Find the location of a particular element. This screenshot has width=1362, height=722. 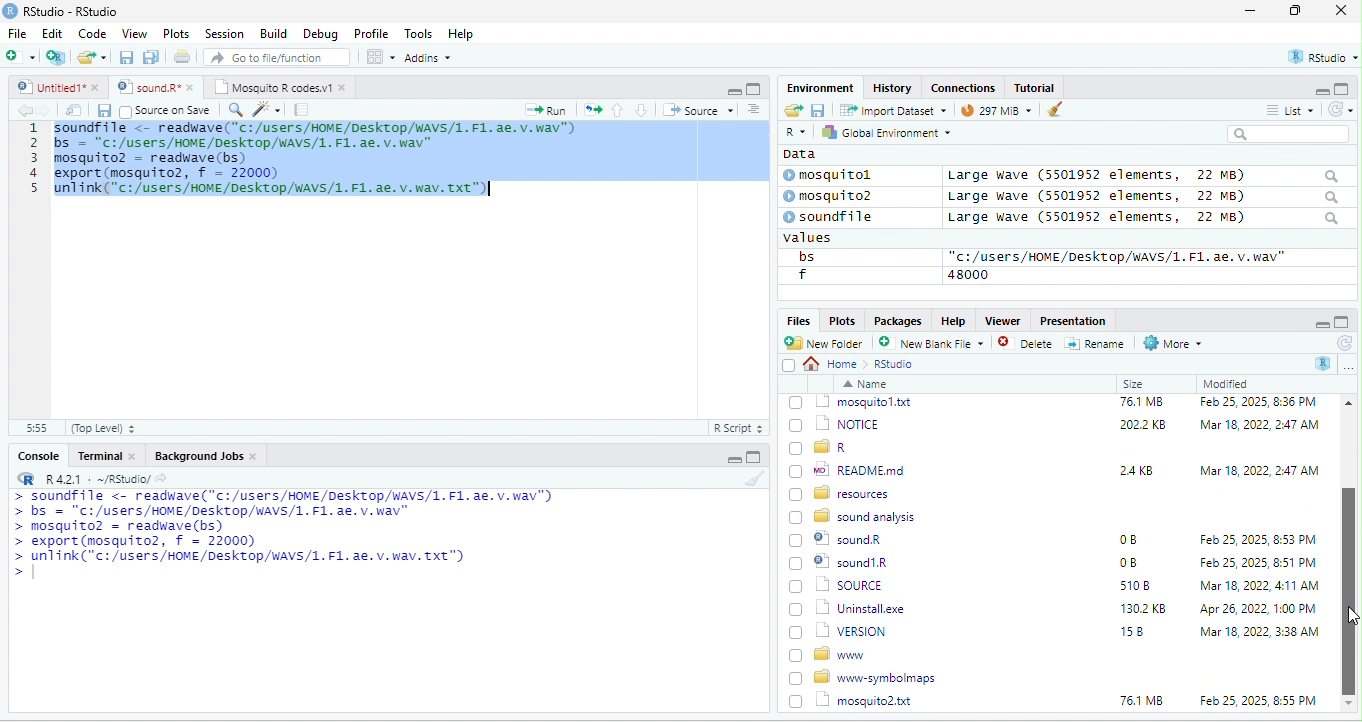

Environment is located at coordinates (820, 87).